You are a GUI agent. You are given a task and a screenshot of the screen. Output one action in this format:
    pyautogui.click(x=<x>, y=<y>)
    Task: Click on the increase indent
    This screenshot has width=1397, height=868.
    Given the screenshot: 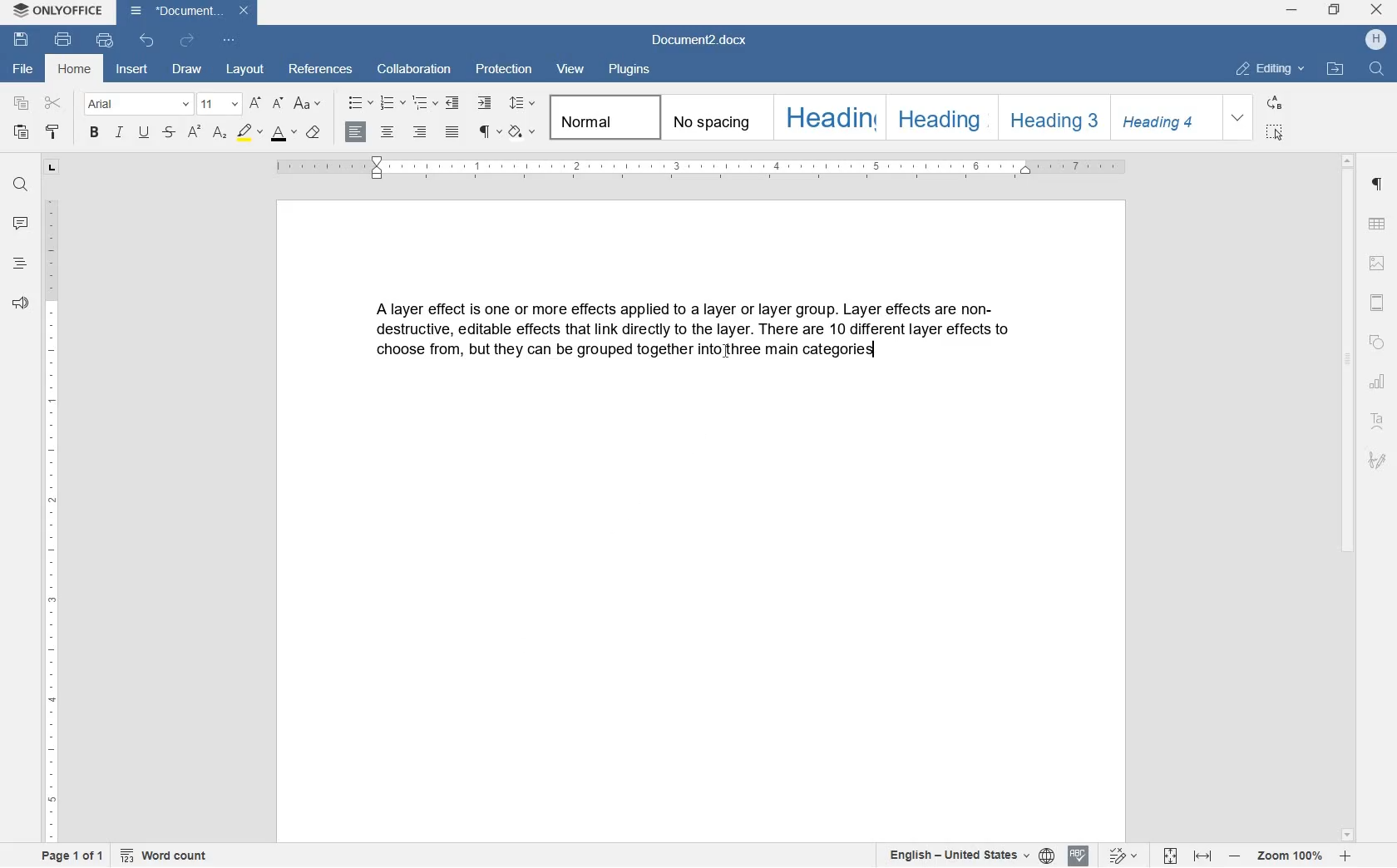 What is the action you would take?
    pyautogui.click(x=486, y=101)
    